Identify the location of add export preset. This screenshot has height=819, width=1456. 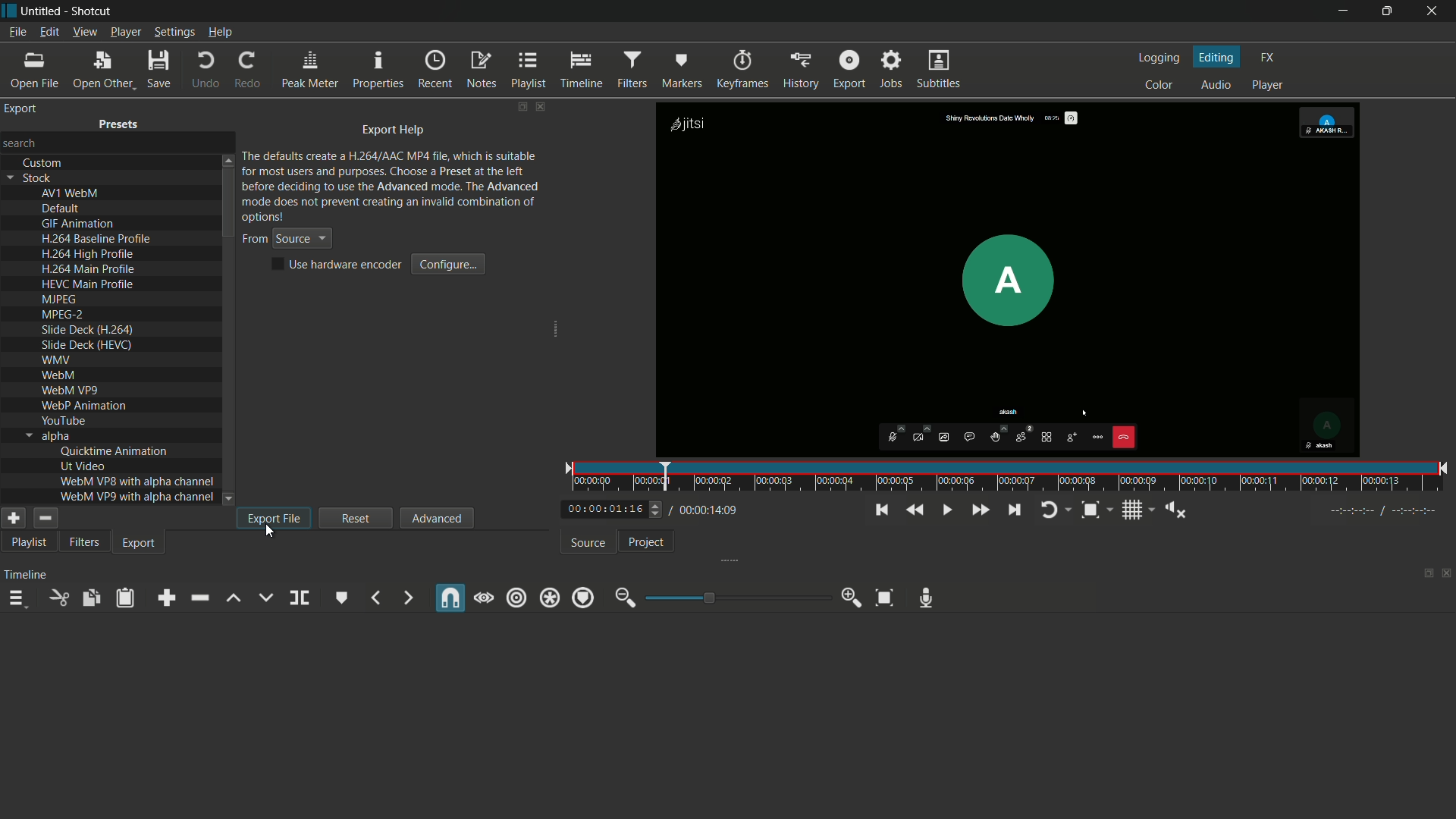
(14, 519).